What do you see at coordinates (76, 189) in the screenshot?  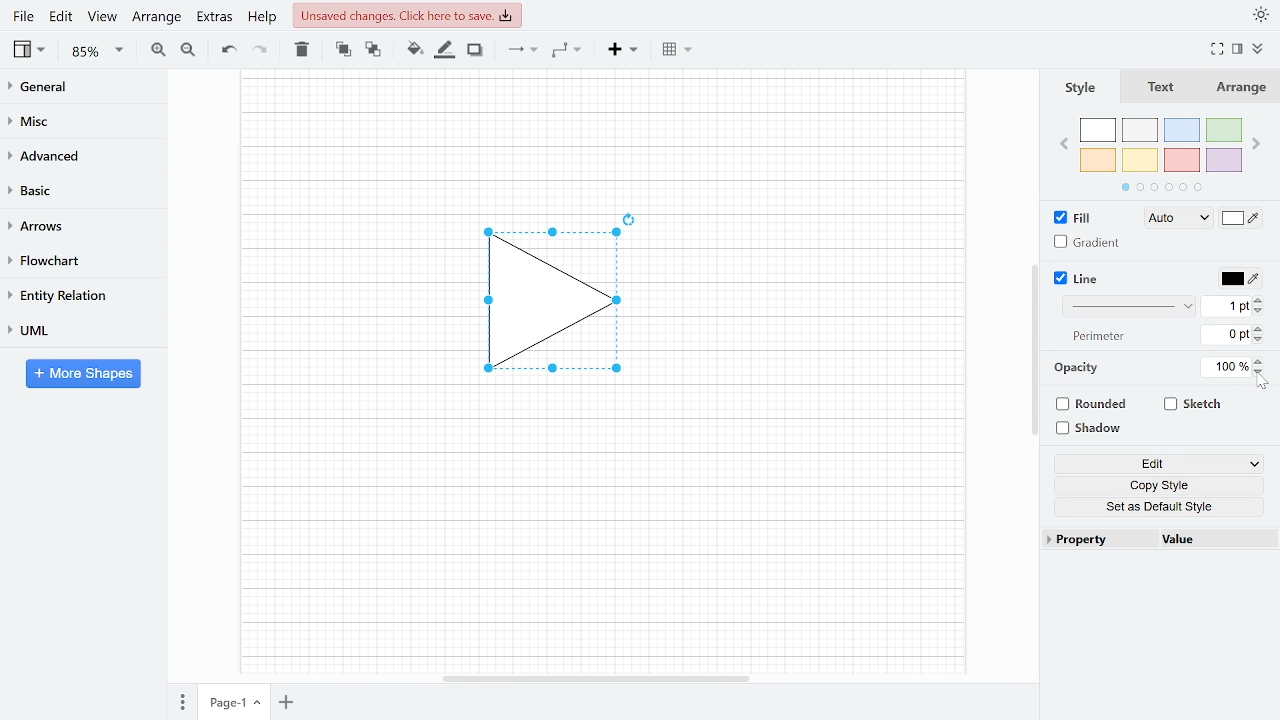 I see `basic` at bounding box center [76, 189].